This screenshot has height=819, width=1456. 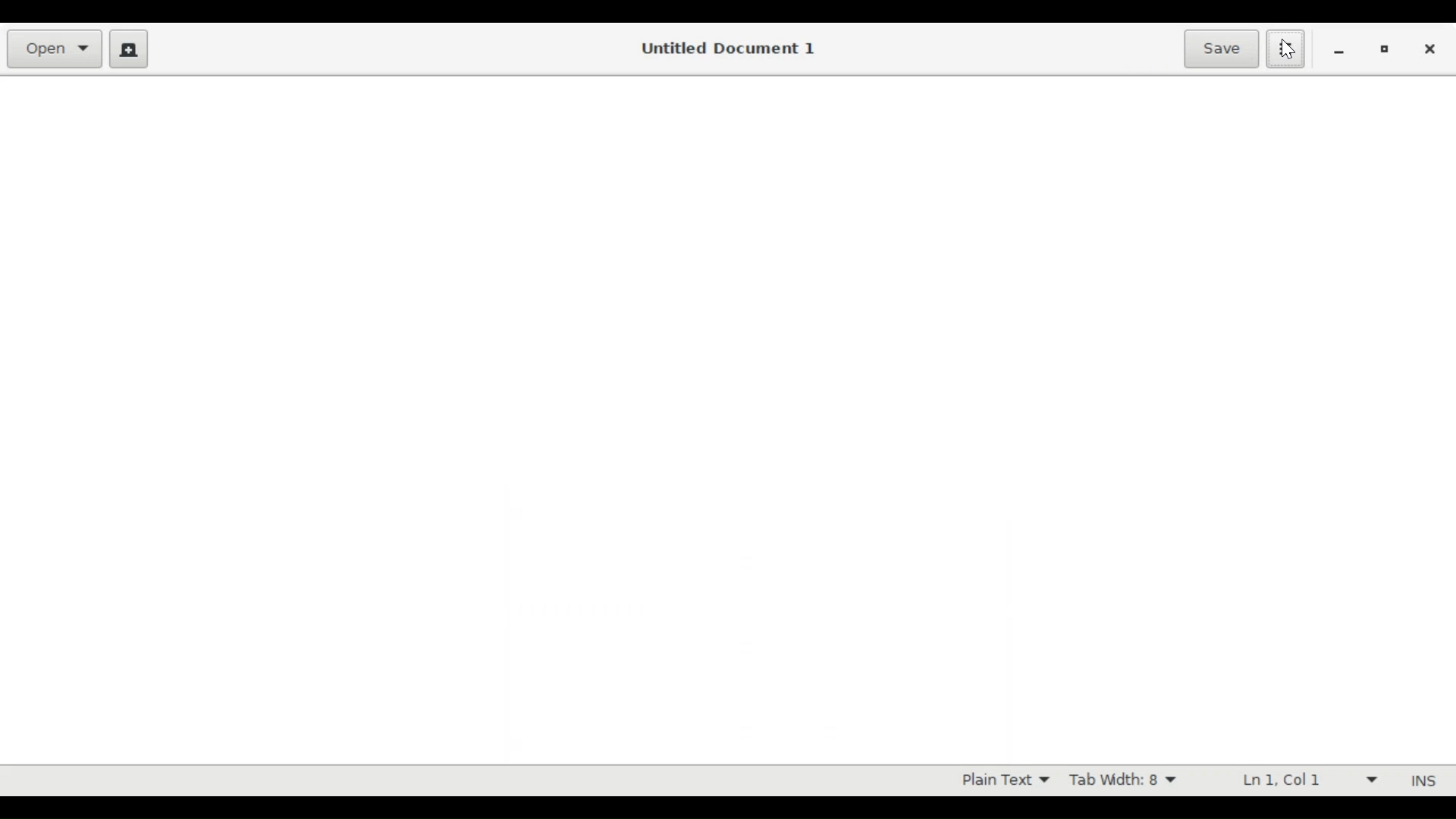 What do you see at coordinates (128, 49) in the screenshot?
I see `Create a new document` at bounding box center [128, 49].